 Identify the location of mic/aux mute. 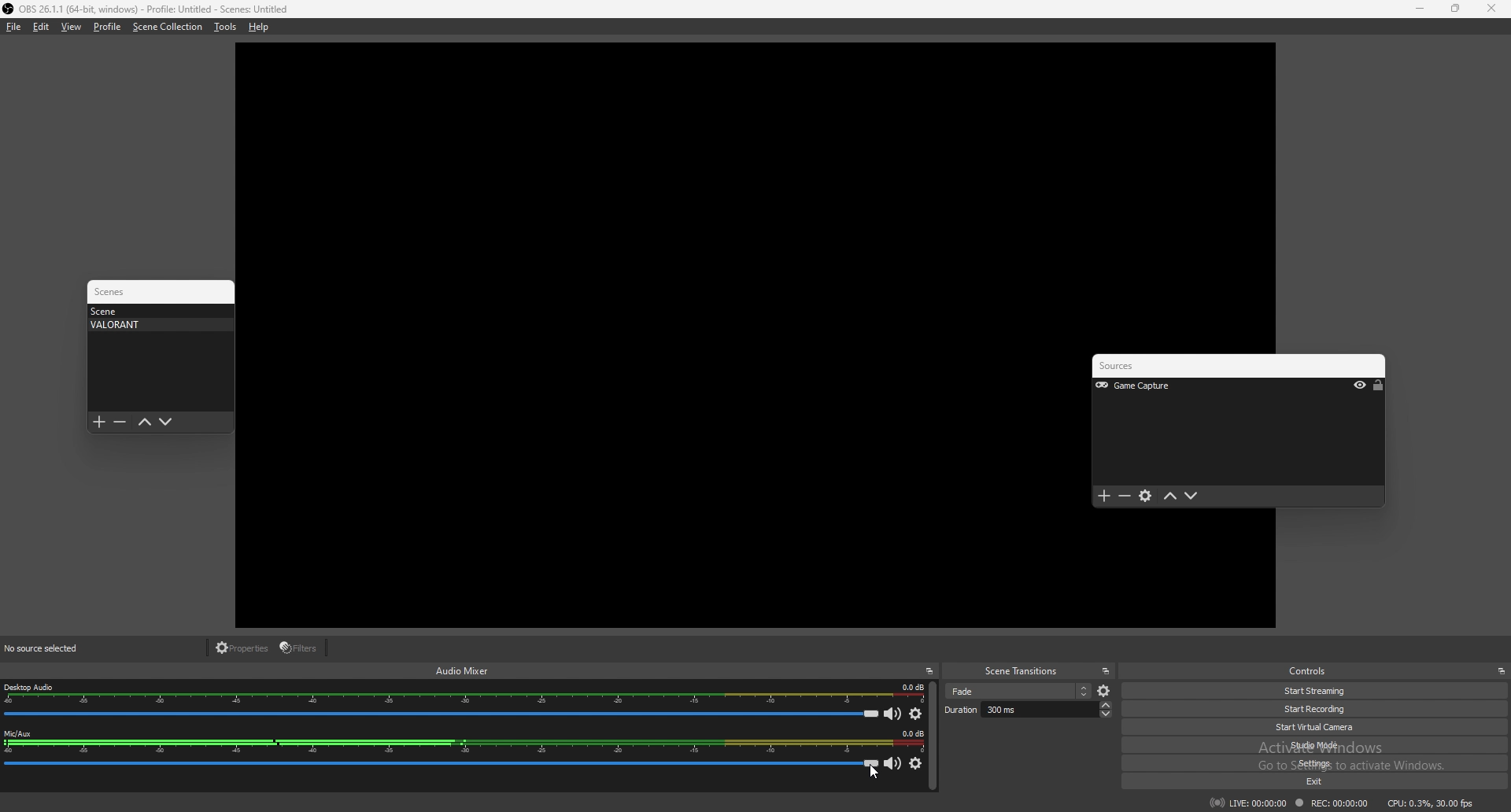
(894, 765).